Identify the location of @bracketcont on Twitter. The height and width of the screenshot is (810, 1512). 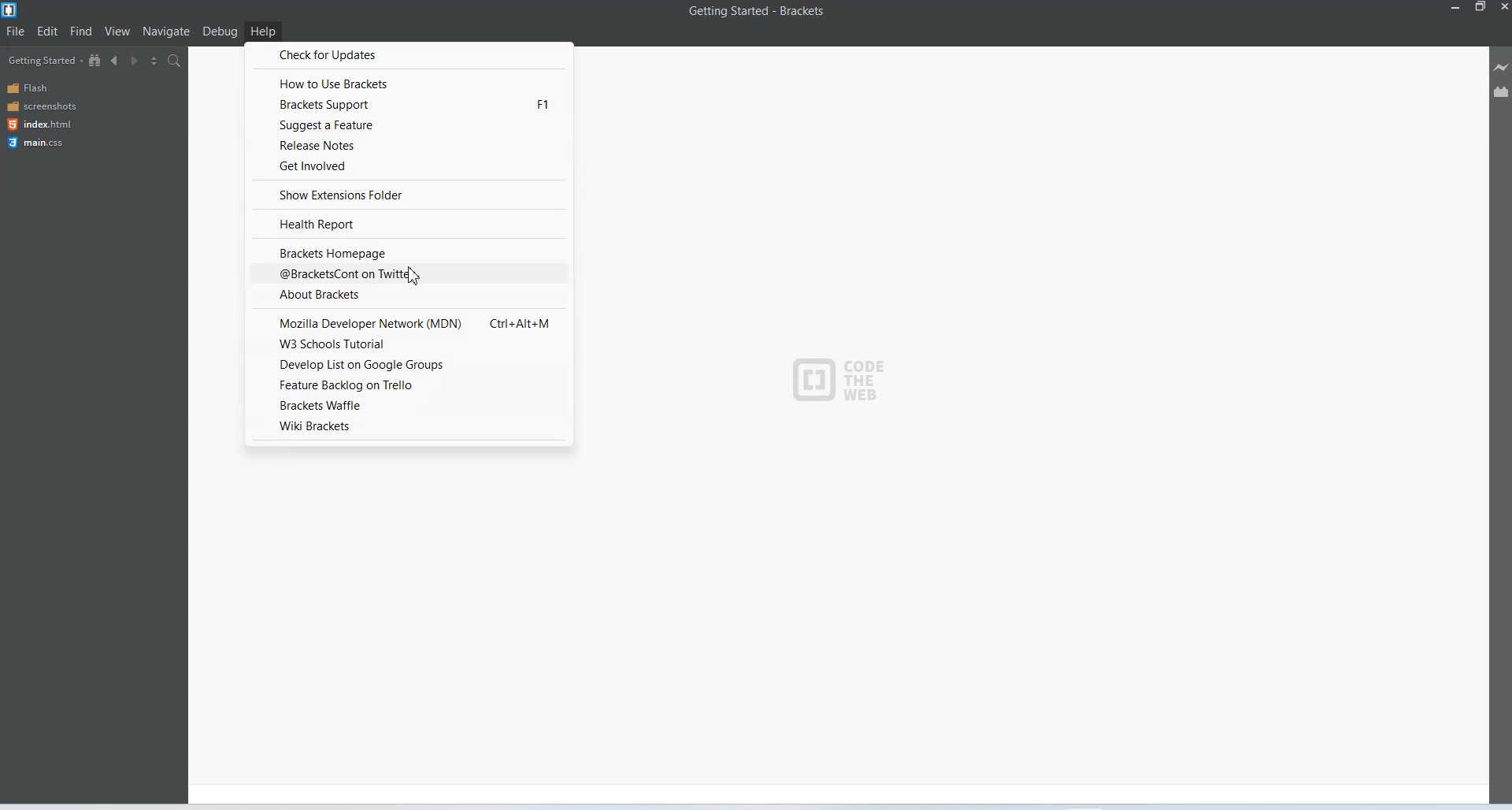
(410, 273).